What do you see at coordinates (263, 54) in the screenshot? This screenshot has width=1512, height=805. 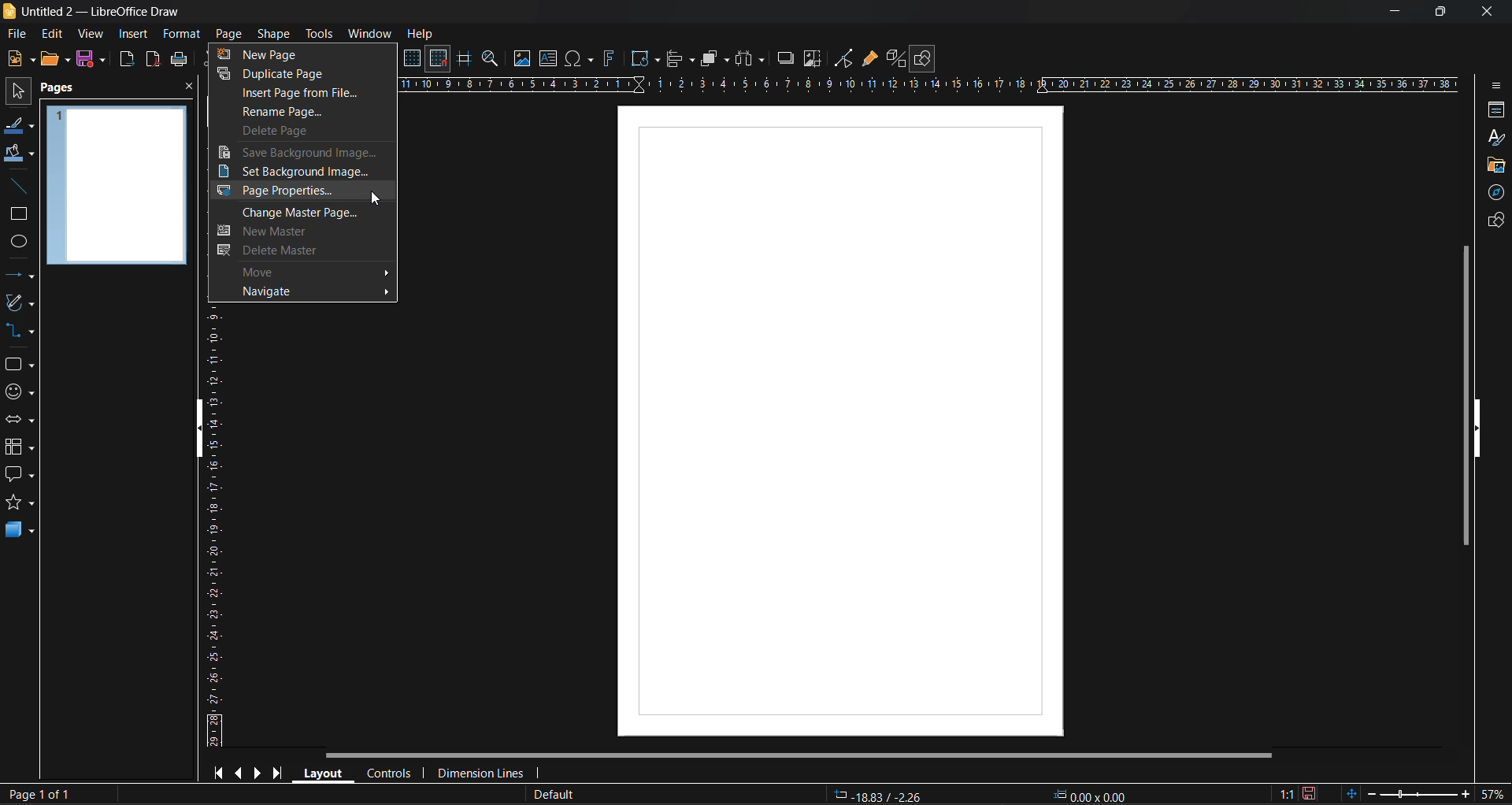 I see `new page` at bounding box center [263, 54].